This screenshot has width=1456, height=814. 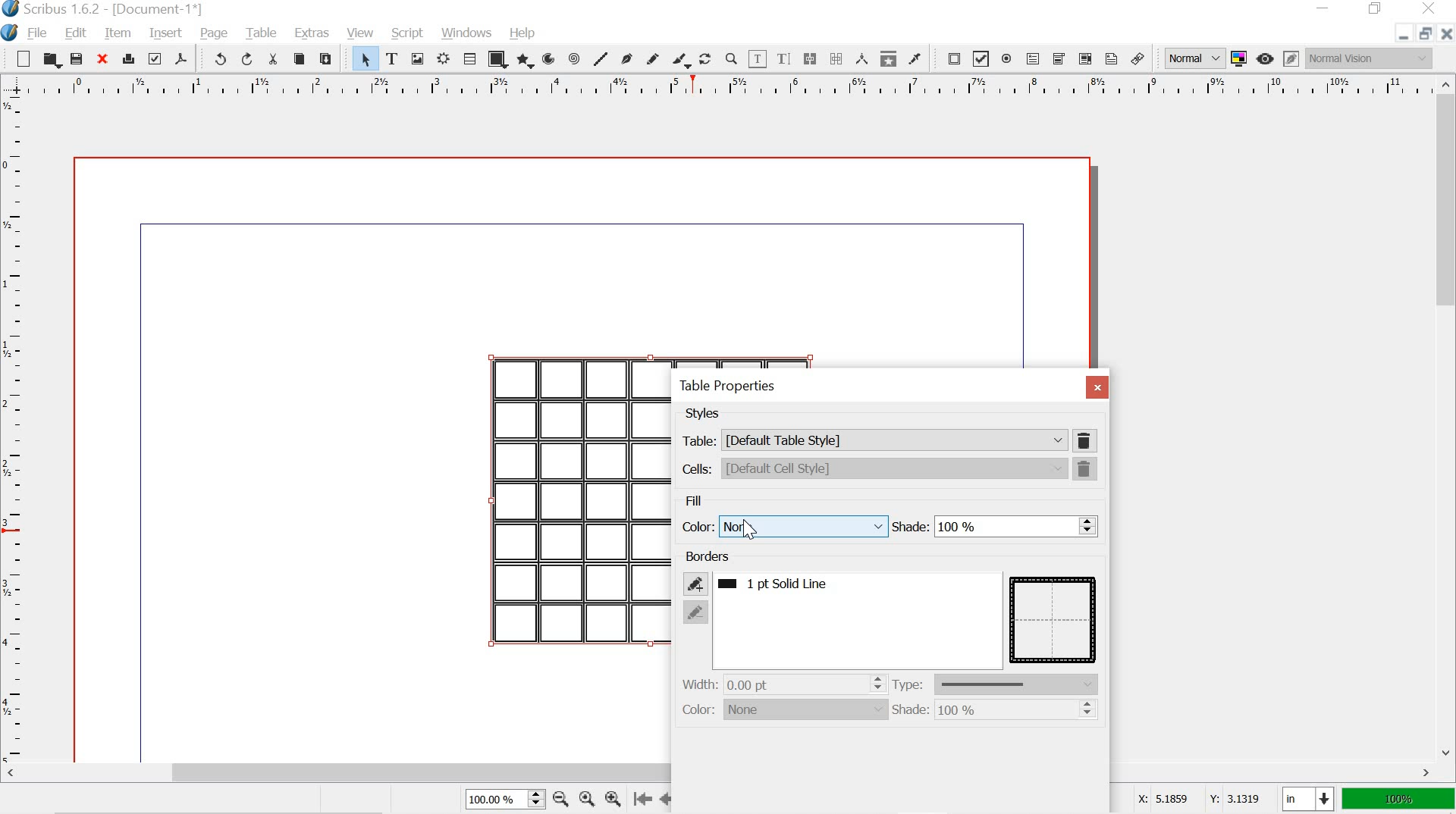 I want to click on go to the first page, so click(x=645, y=800).